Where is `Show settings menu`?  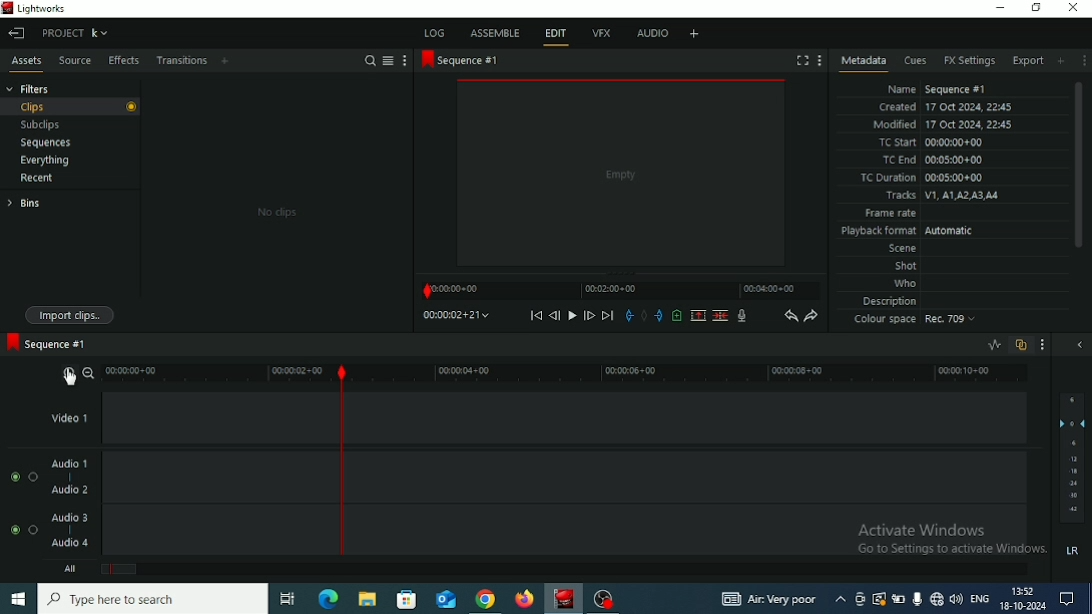 Show settings menu is located at coordinates (1042, 345).